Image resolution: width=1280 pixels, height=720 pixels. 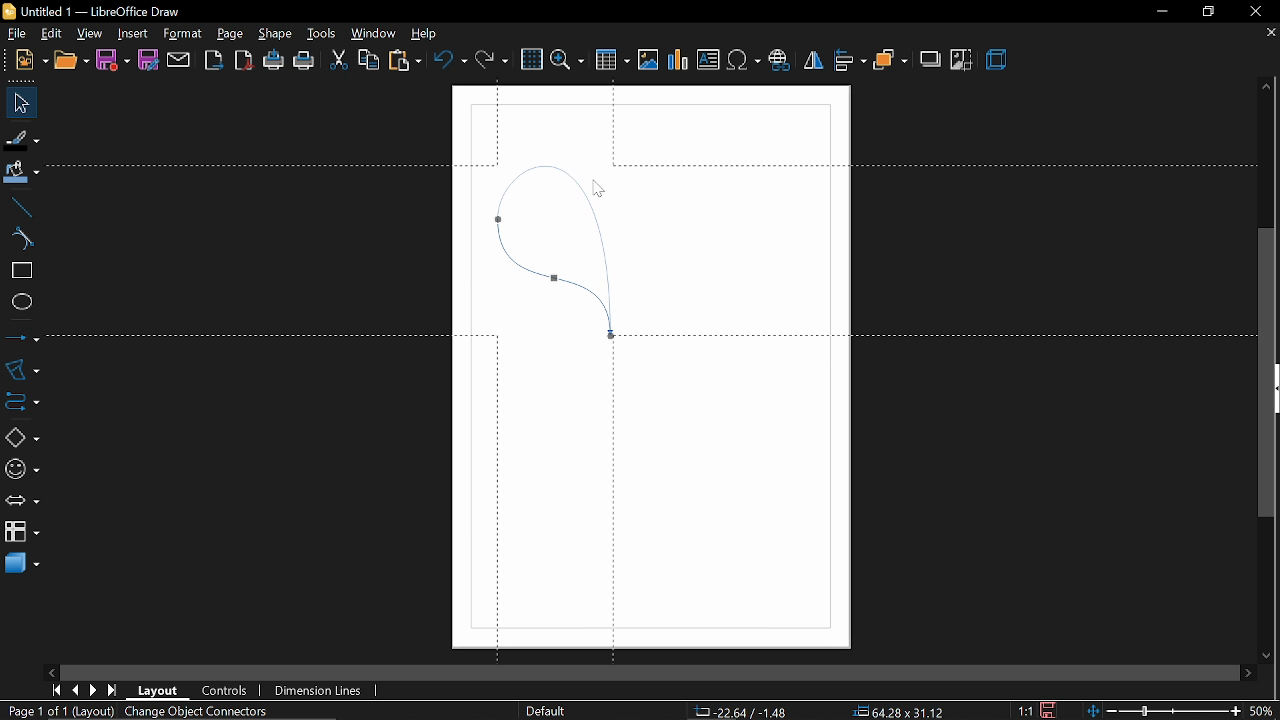 I want to click on go to last page, so click(x=114, y=690).